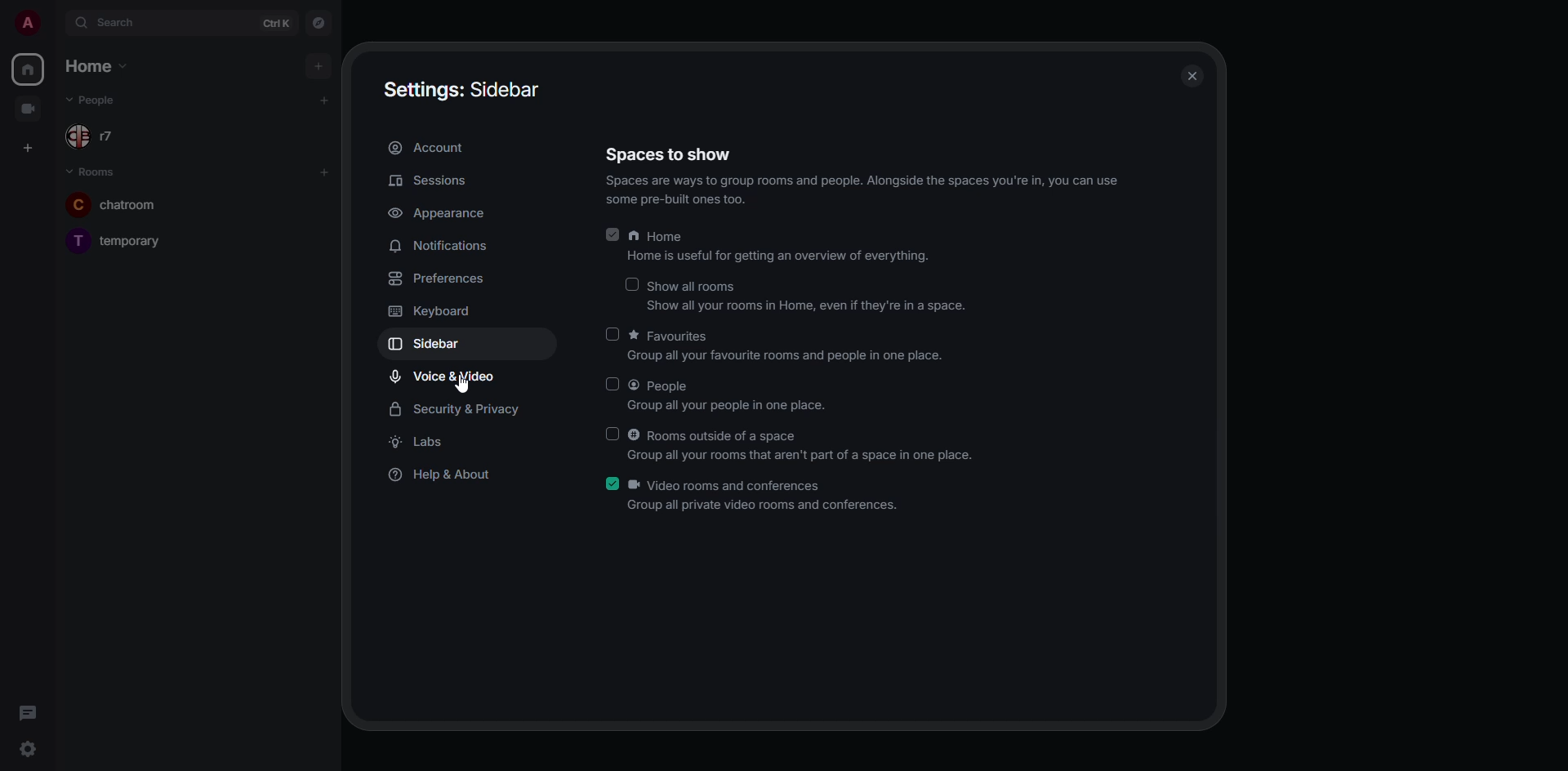 The height and width of the screenshot is (771, 1568). Describe the element at coordinates (469, 388) in the screenshot. I see `cursor` at that location.